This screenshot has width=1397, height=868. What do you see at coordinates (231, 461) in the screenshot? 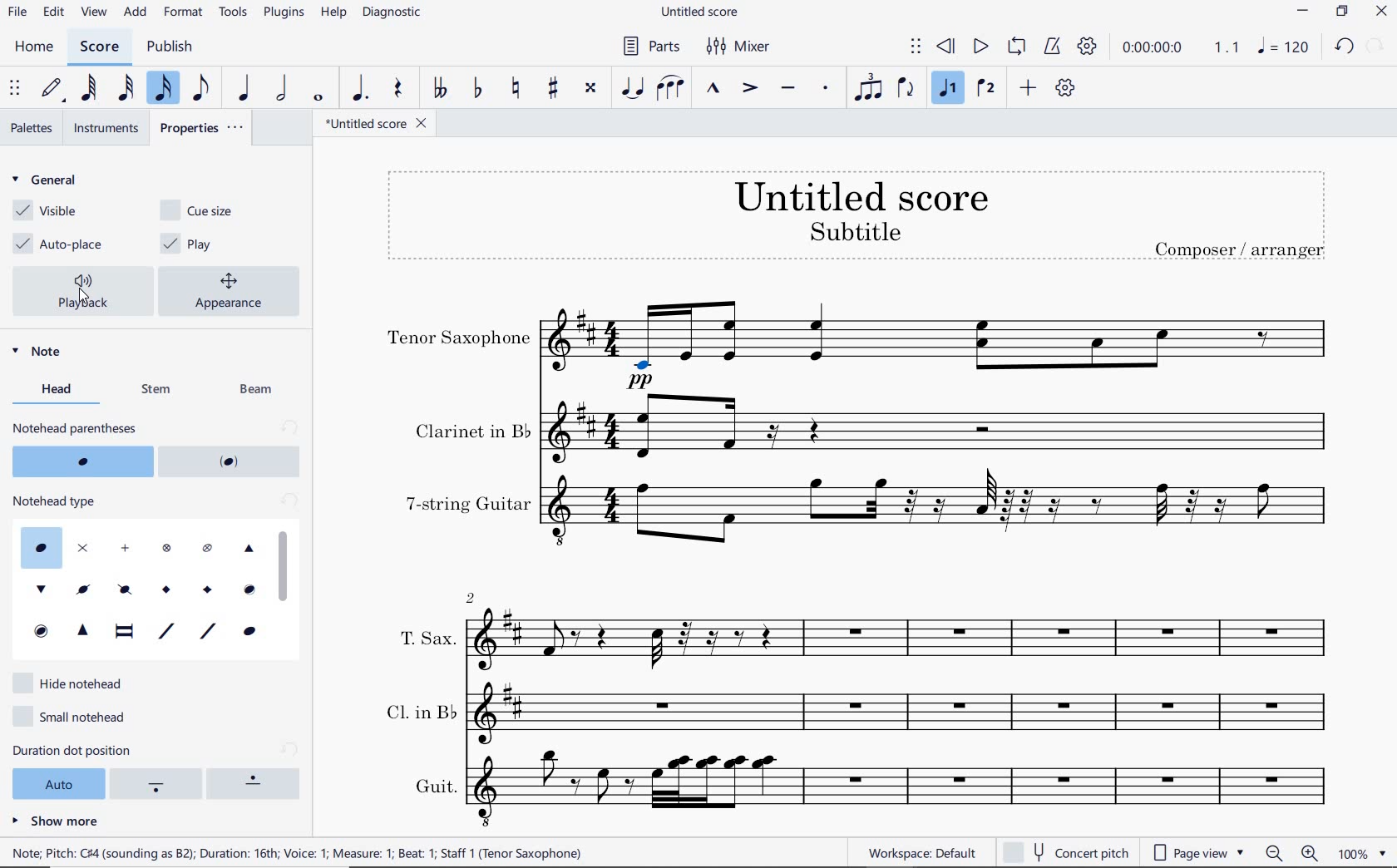
I see `Notehead parentheses` at bounding box center [231, 461].